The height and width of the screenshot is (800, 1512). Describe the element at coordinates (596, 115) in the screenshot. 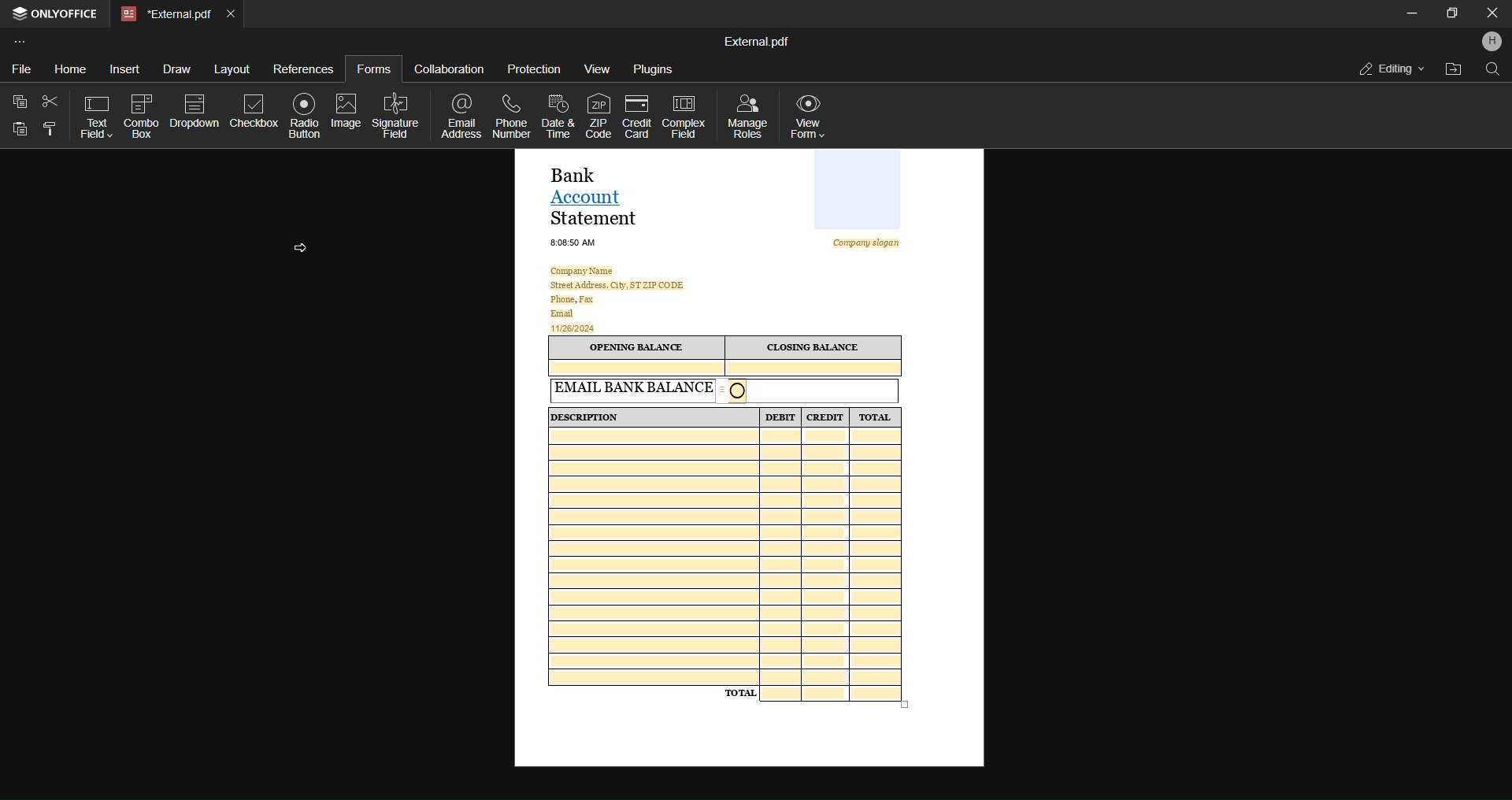

I see `zip code` at that location.